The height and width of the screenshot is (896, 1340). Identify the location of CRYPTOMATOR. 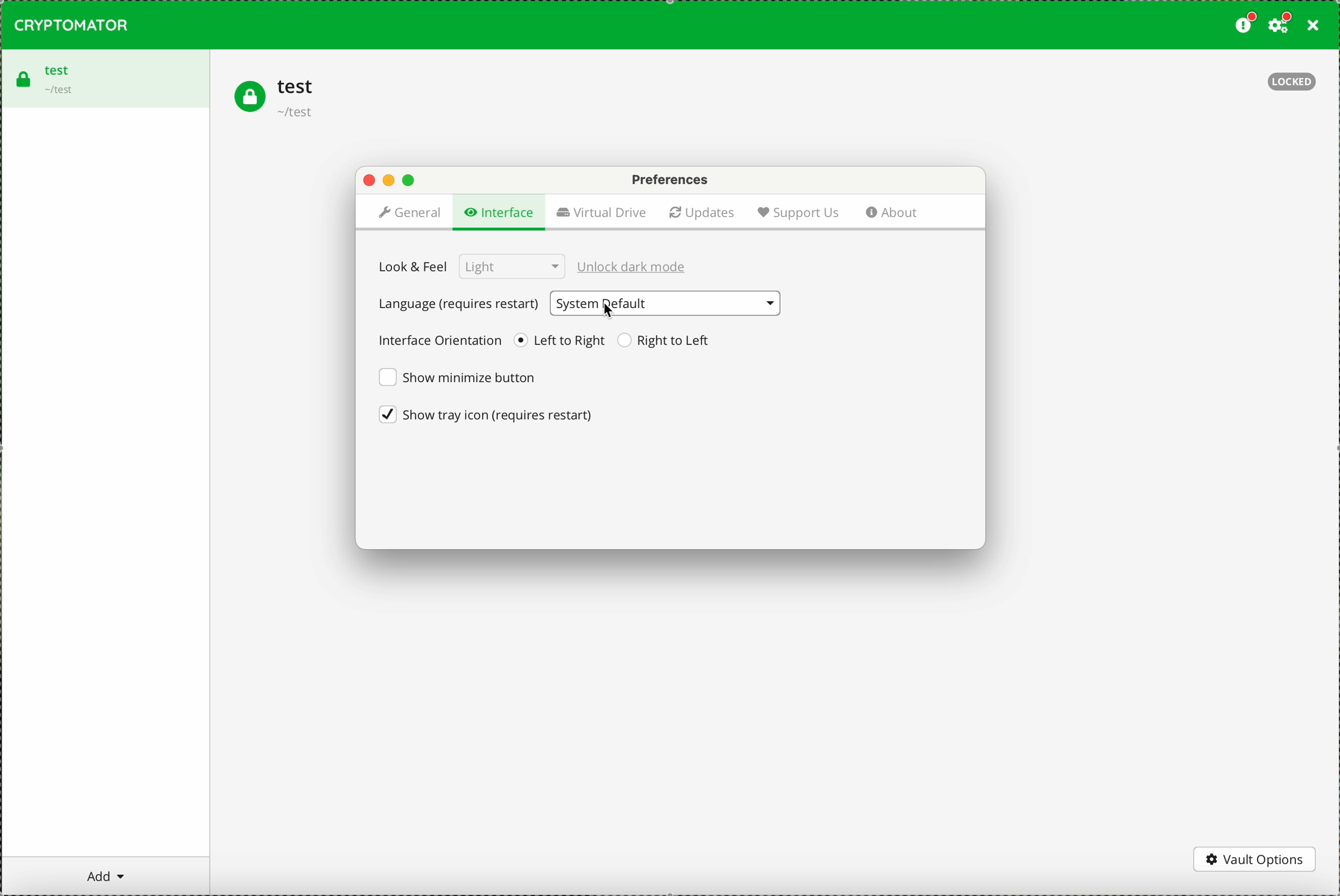
(71, 25).